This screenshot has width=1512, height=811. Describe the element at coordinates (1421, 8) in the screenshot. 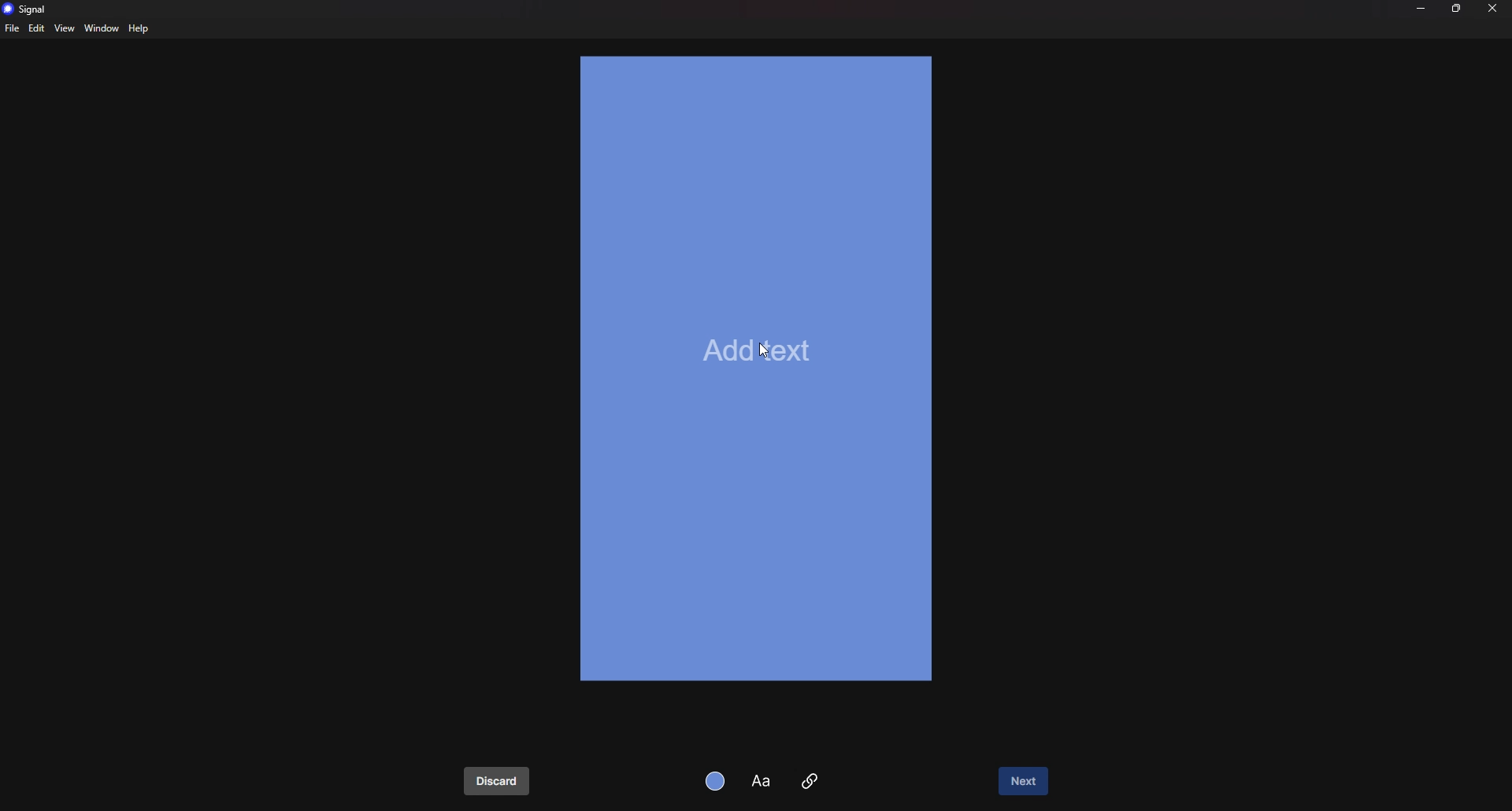

I see `minimize` at that location.